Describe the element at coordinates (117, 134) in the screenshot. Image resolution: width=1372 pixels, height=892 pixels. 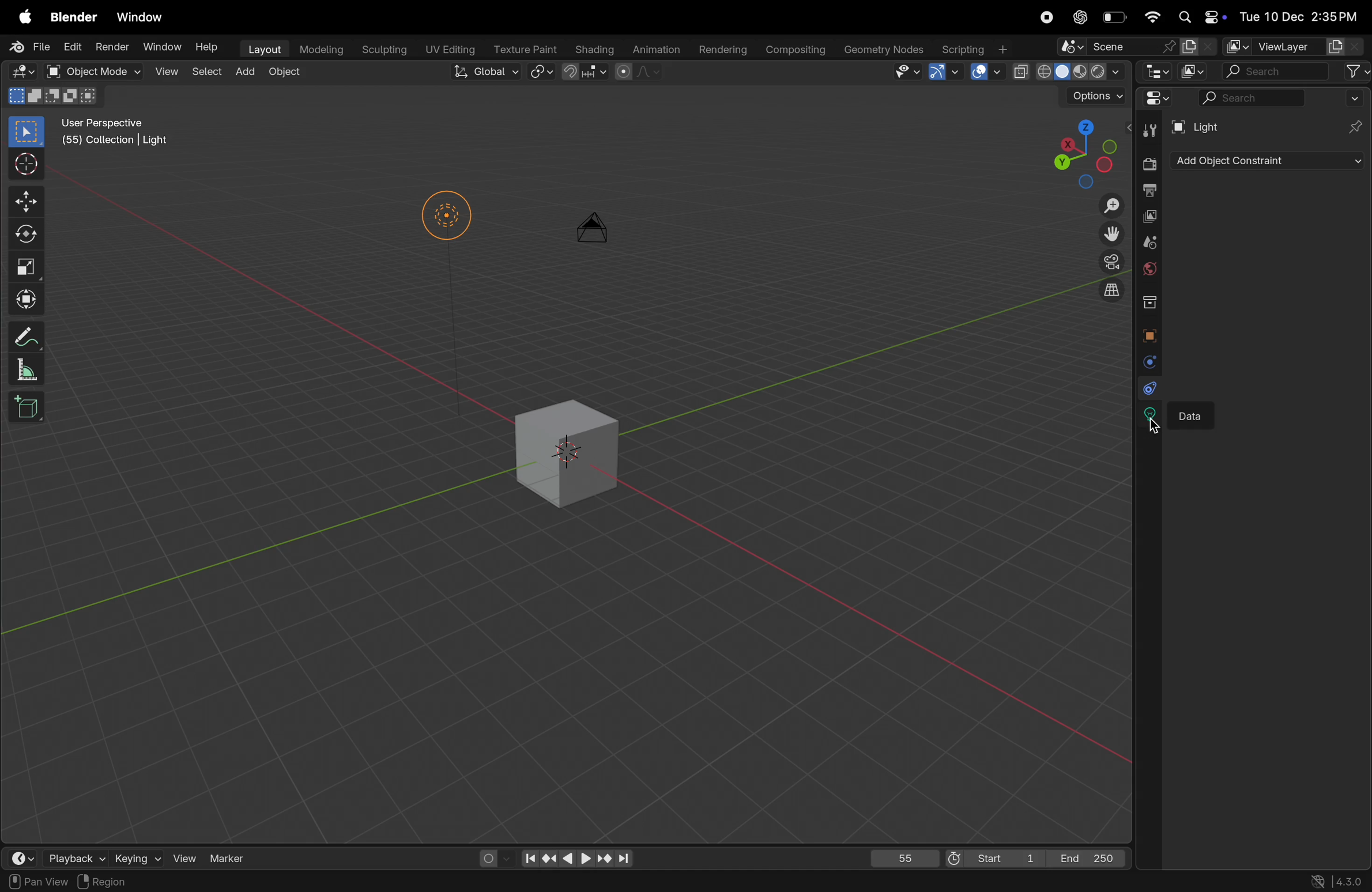
I see `User perspective` at that location.